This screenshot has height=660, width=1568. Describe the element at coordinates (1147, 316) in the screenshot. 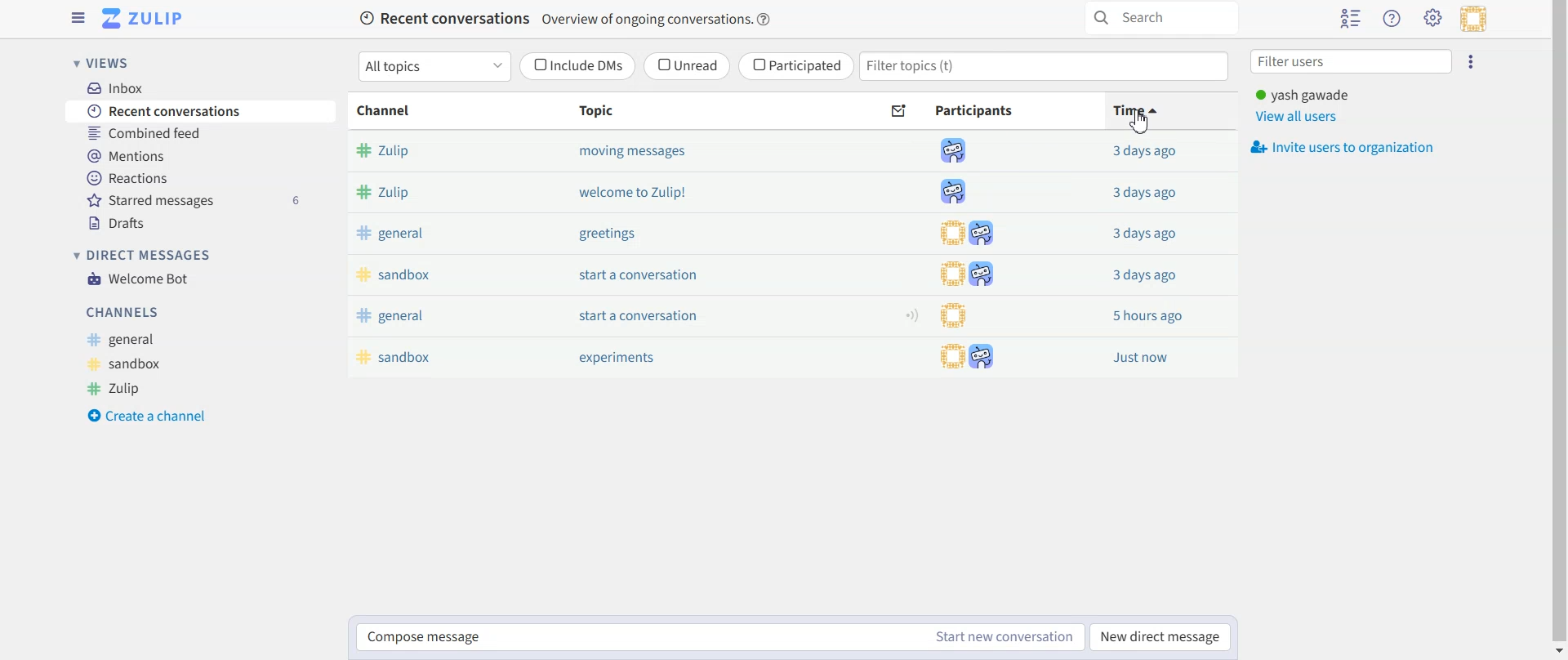

I see `5 hours ago` at that location.